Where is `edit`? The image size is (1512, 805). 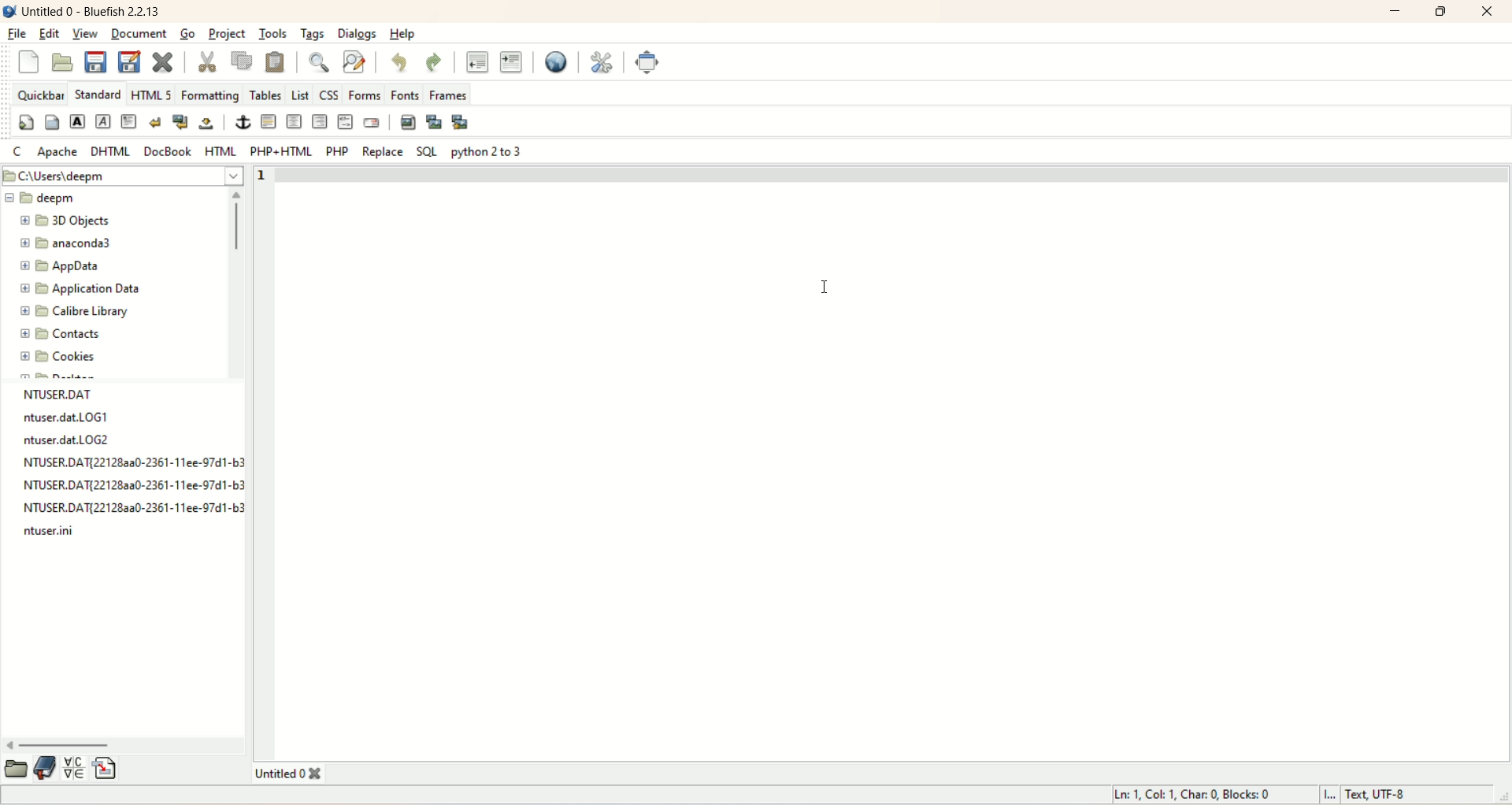
edit is located at coordinates (50, 33).